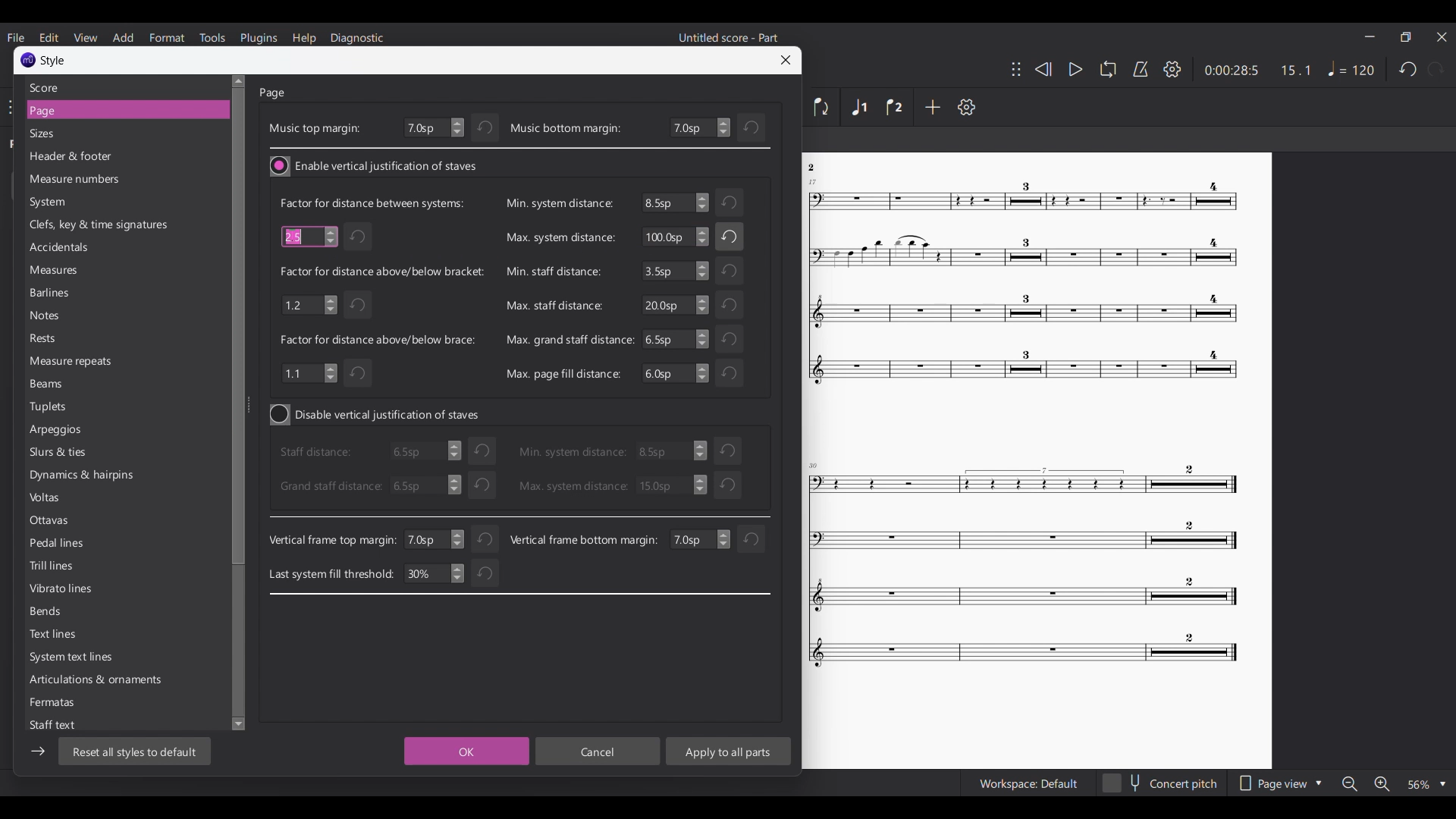 This screenshot has height=819, width=1456. What do you see at coordinates (553, 271) in the screenshot?
I see `Min. staff distance` at bounding box center [553, 271].